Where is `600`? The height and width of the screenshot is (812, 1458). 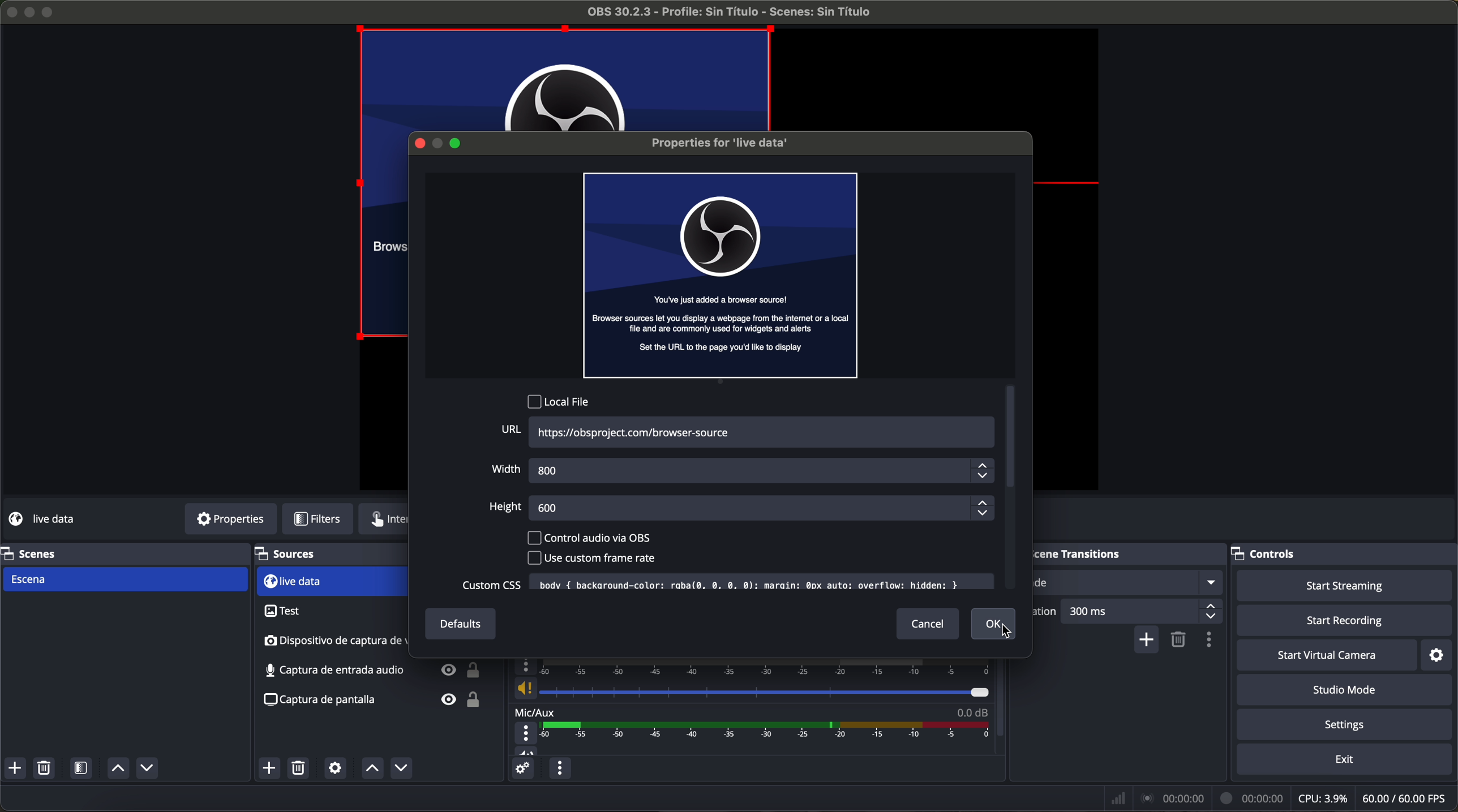
600 is located at coordinates (764, 508).